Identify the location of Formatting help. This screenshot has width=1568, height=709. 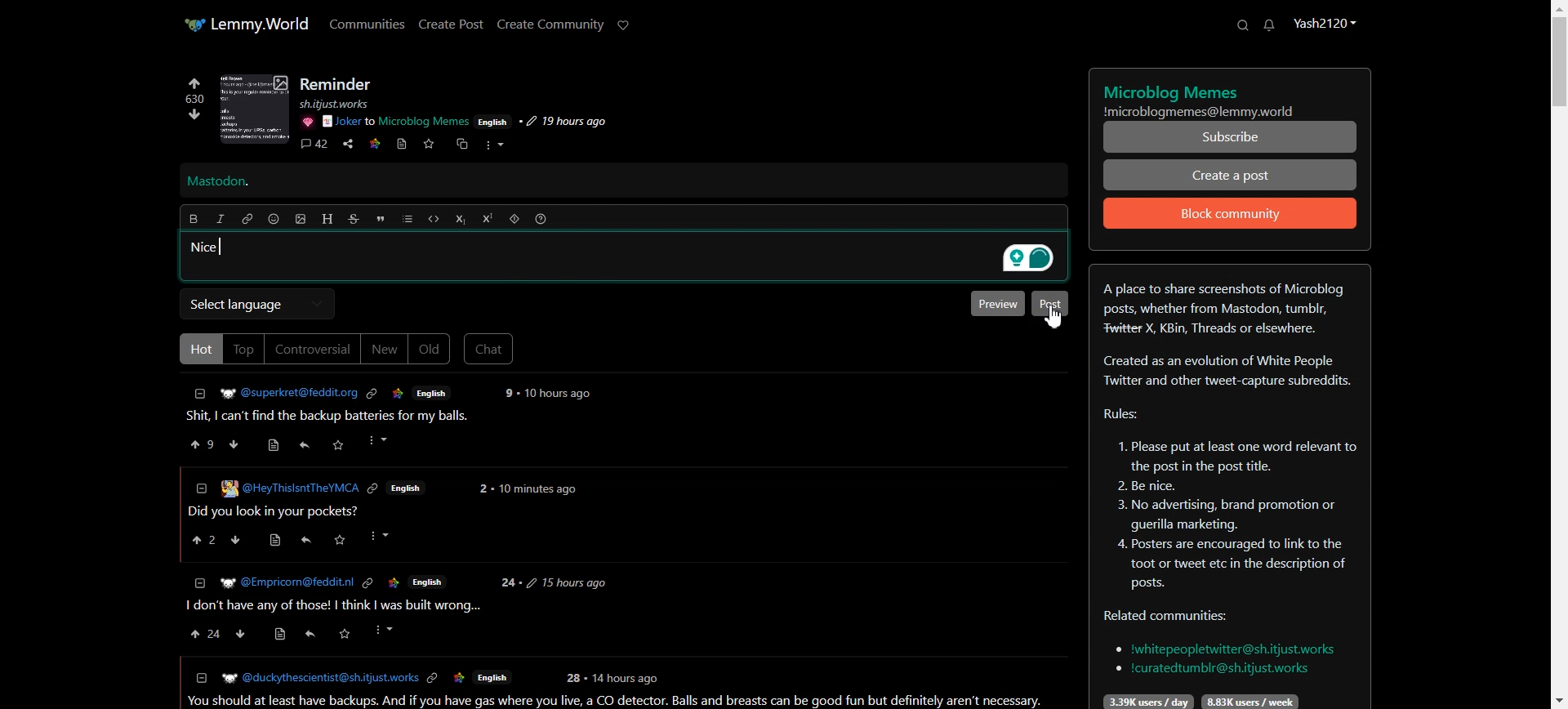
(541, 219).